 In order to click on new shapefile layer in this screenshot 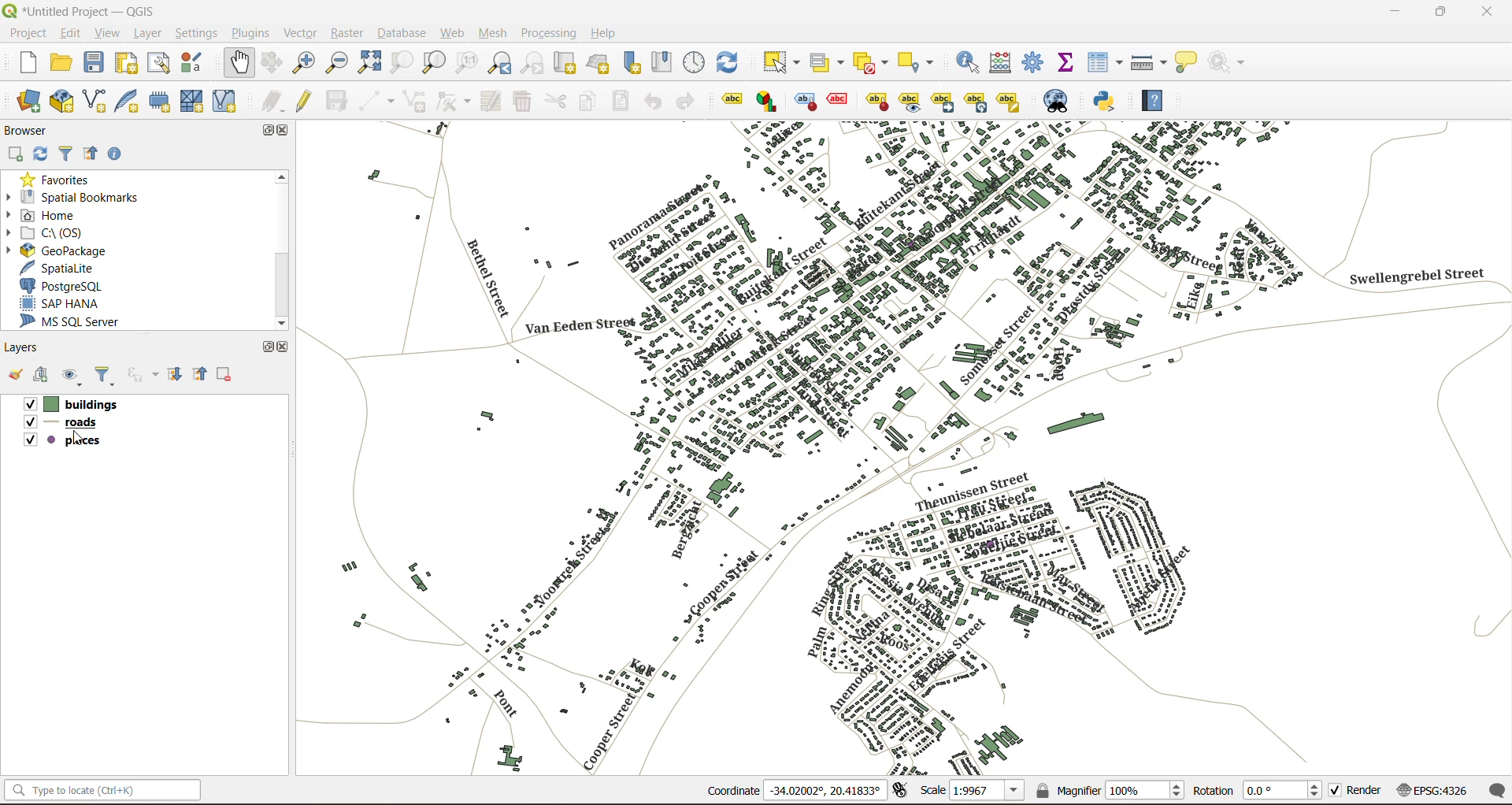, I will do `click(102, 102)`.